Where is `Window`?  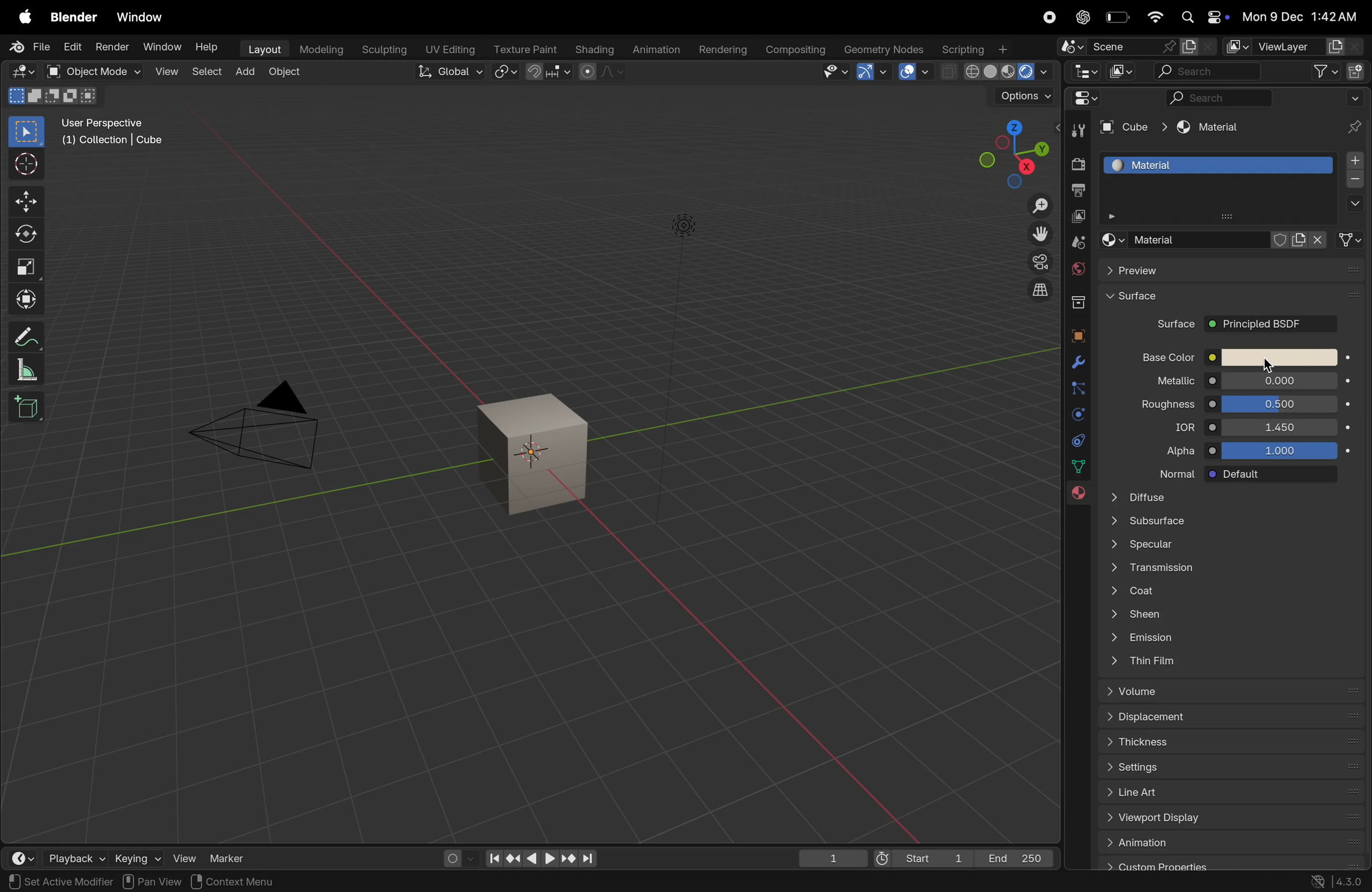 Window is located at coordinates (140, 18).